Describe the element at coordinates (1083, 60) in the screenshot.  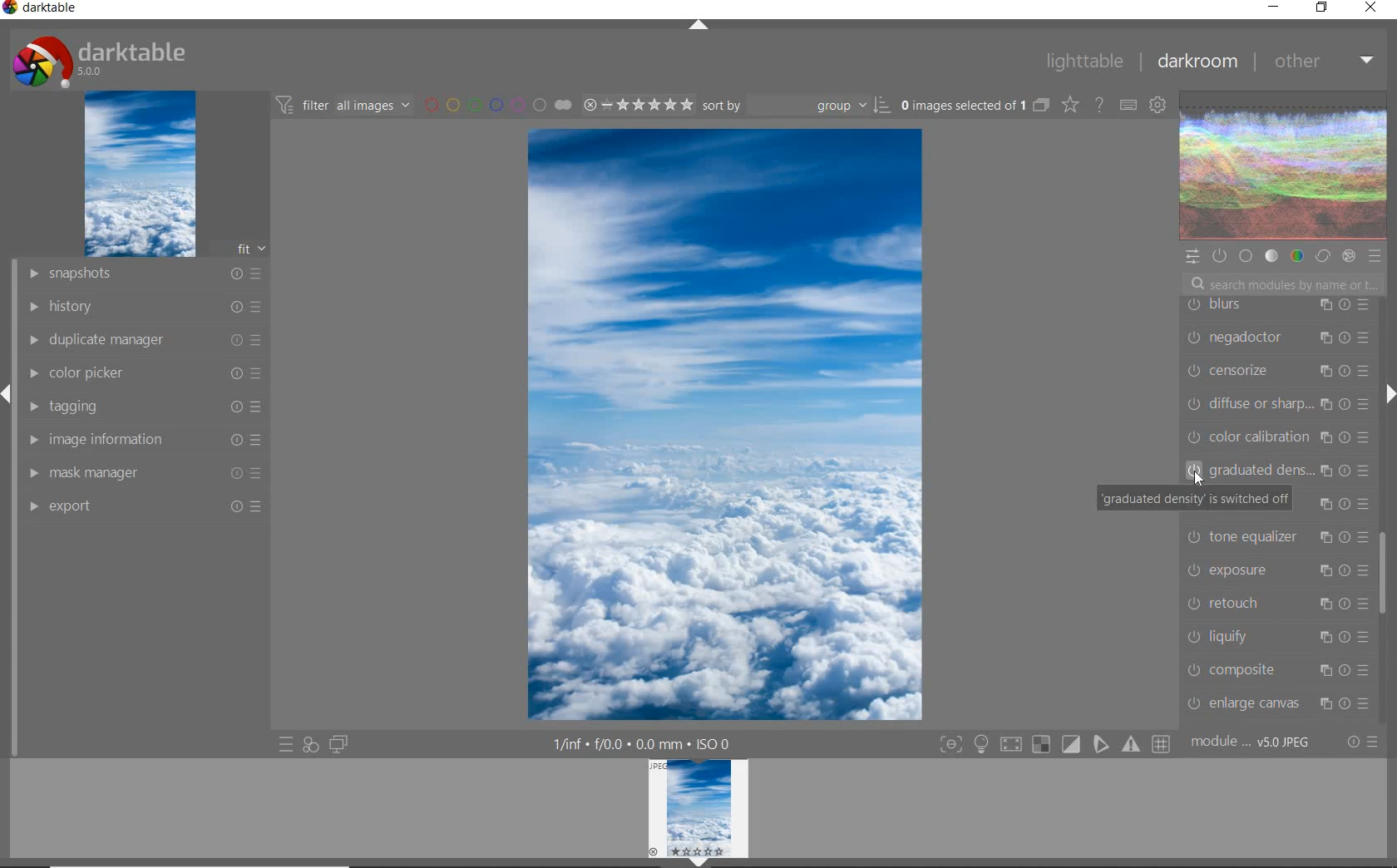
I see `LIGHTTABLE` at that location.